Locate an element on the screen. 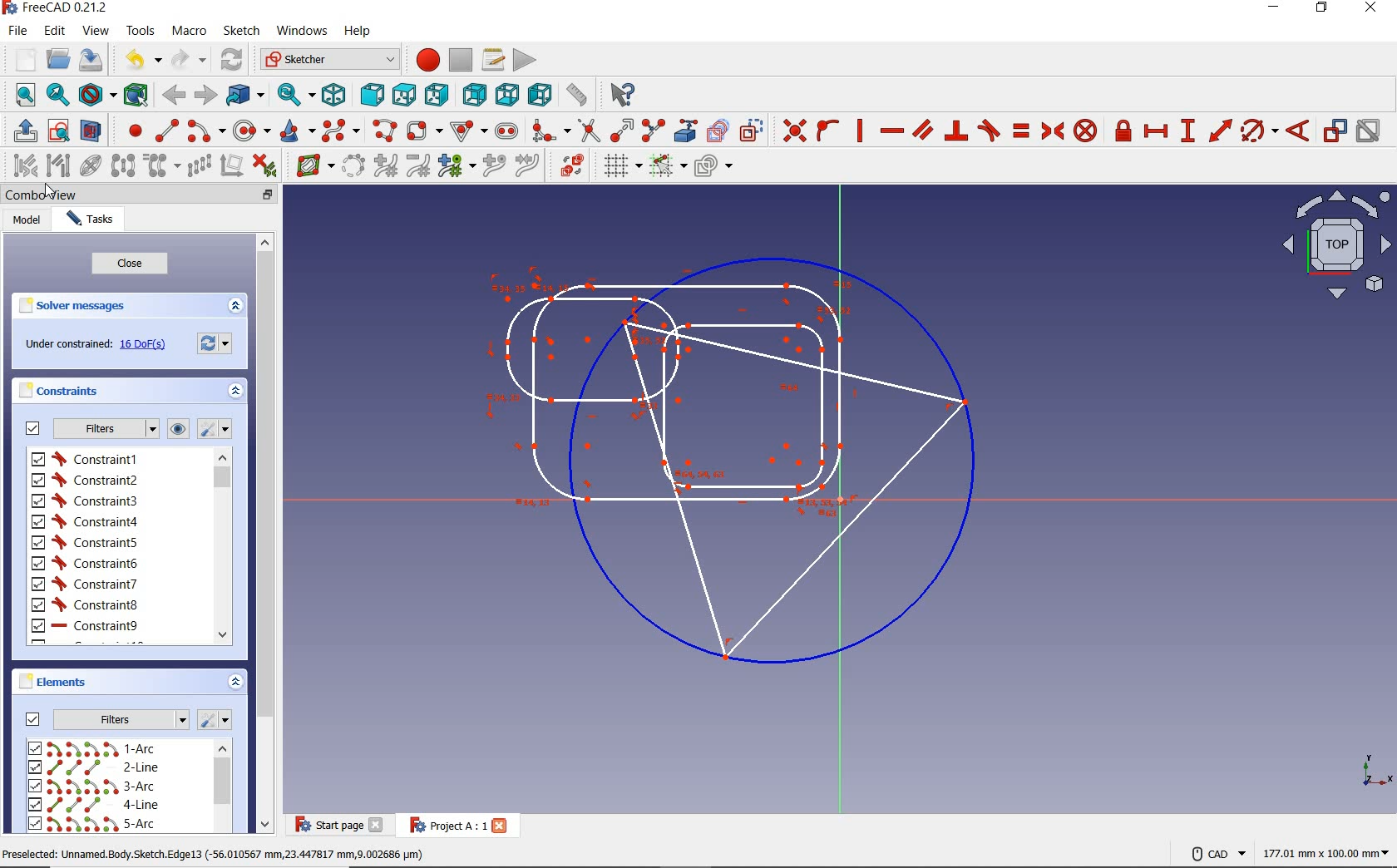 Image resolution: width=1397 pixels, height=868 pixels. create fillet is located at coordinates (550, 131).